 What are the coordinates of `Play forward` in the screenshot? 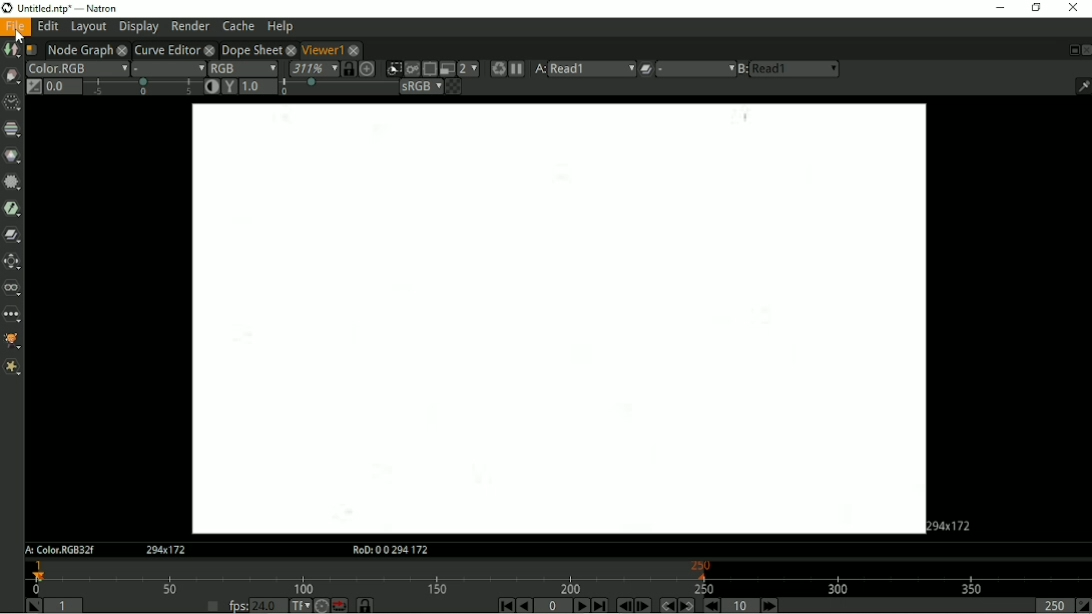 It's located at (581, 605).